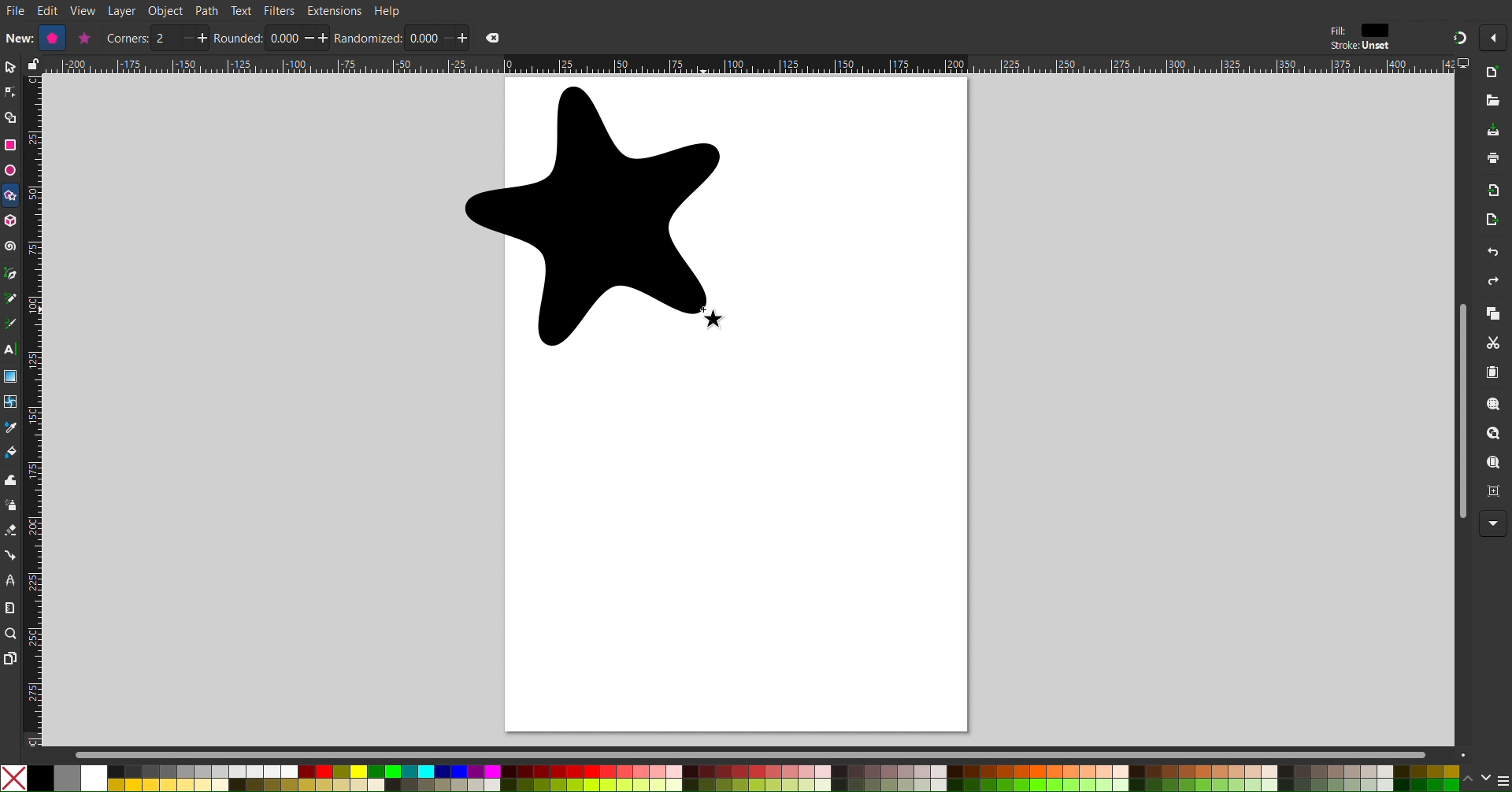  Describe the element at coordinates (15, 12) in the screenshot. I see `File` at that location.